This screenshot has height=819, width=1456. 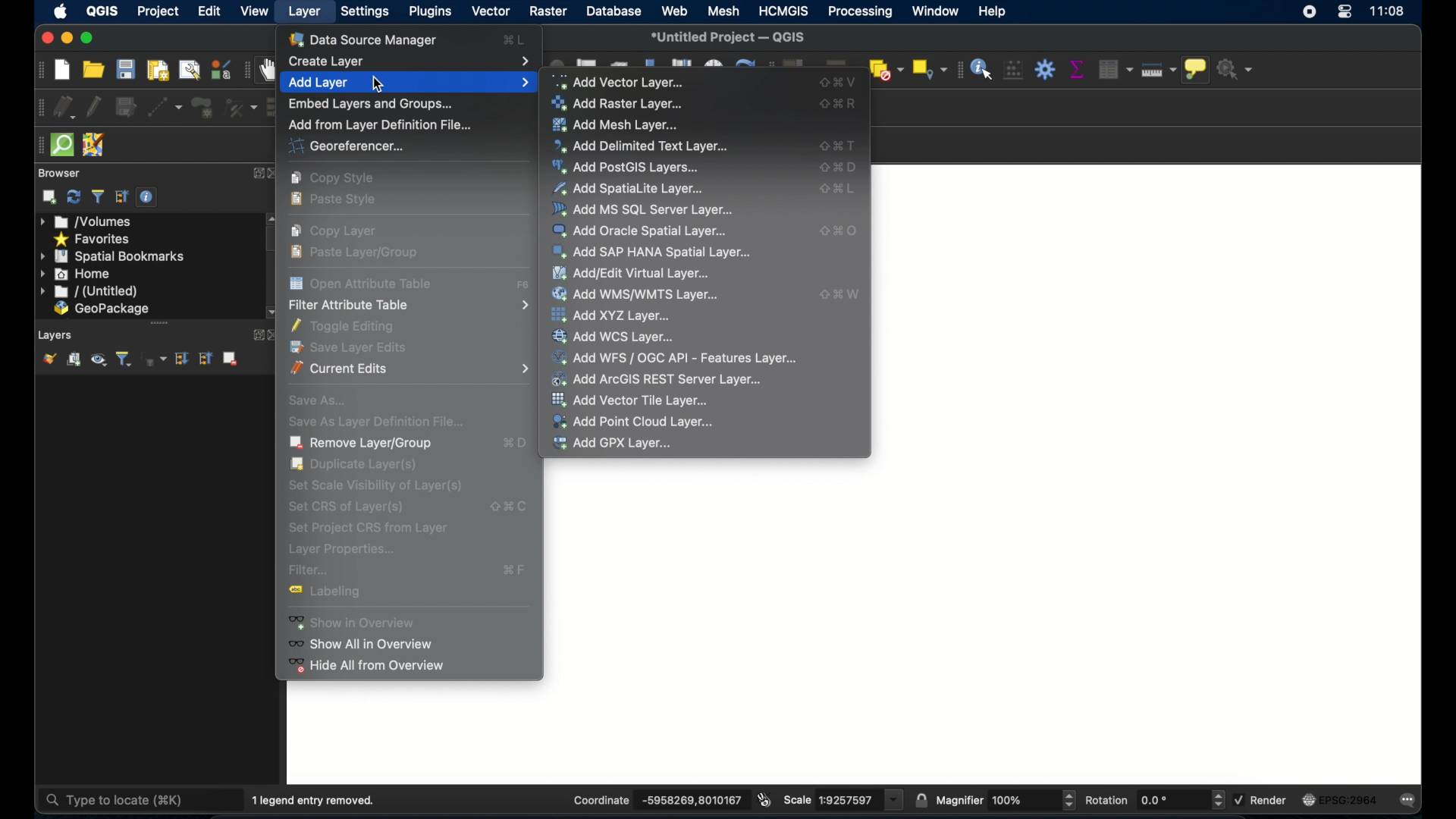 I want to click on scale, so click(x=798, y=800).